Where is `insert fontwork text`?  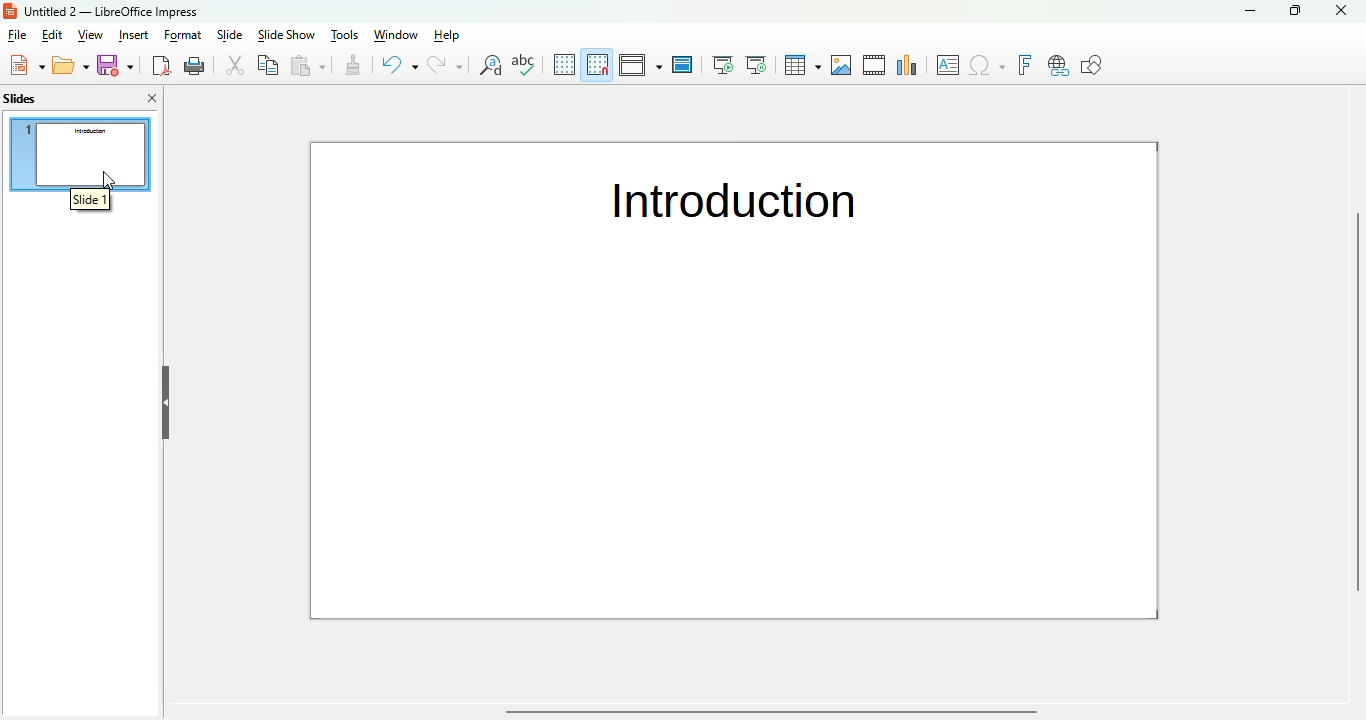
insert fontwork text is located at coordinates (1024, 65).